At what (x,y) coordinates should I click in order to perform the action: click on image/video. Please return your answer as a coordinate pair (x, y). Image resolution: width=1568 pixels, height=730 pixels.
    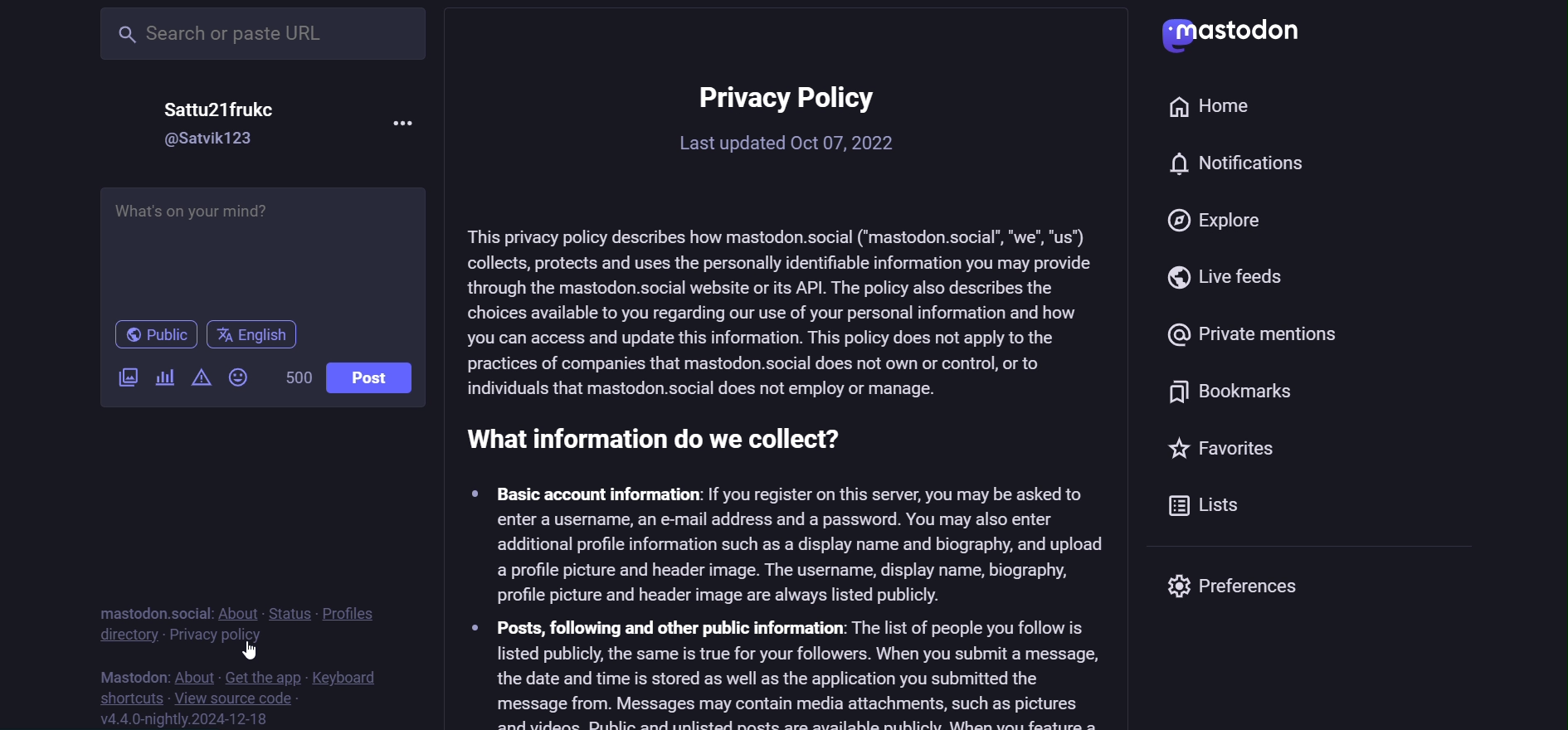
    Looking at the image, I should click on (129, 378).